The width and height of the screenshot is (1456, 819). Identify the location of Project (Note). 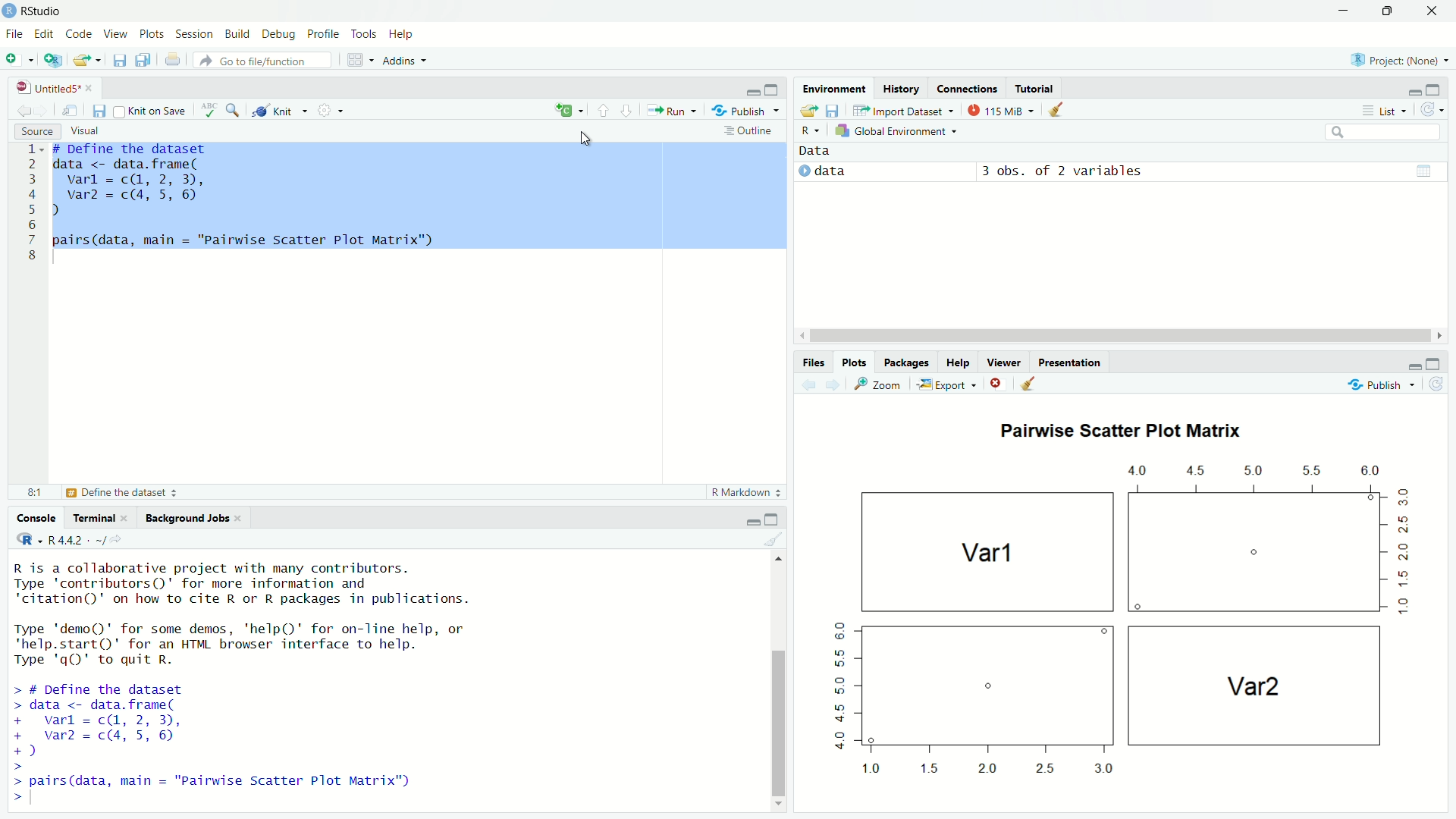
(1400, 60).